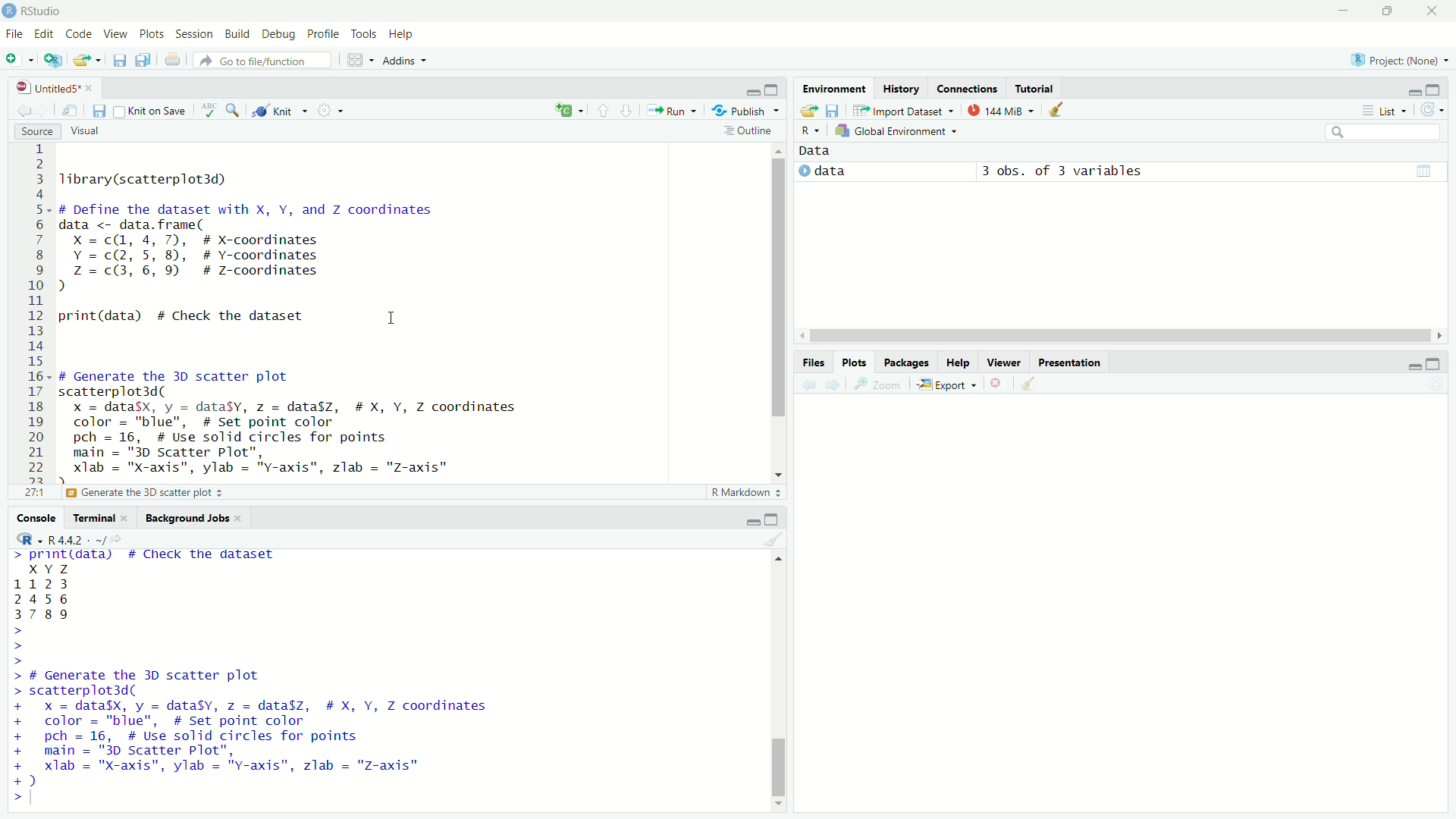 The image size is (1456, 819). I want to click on close, so click(126, 518).